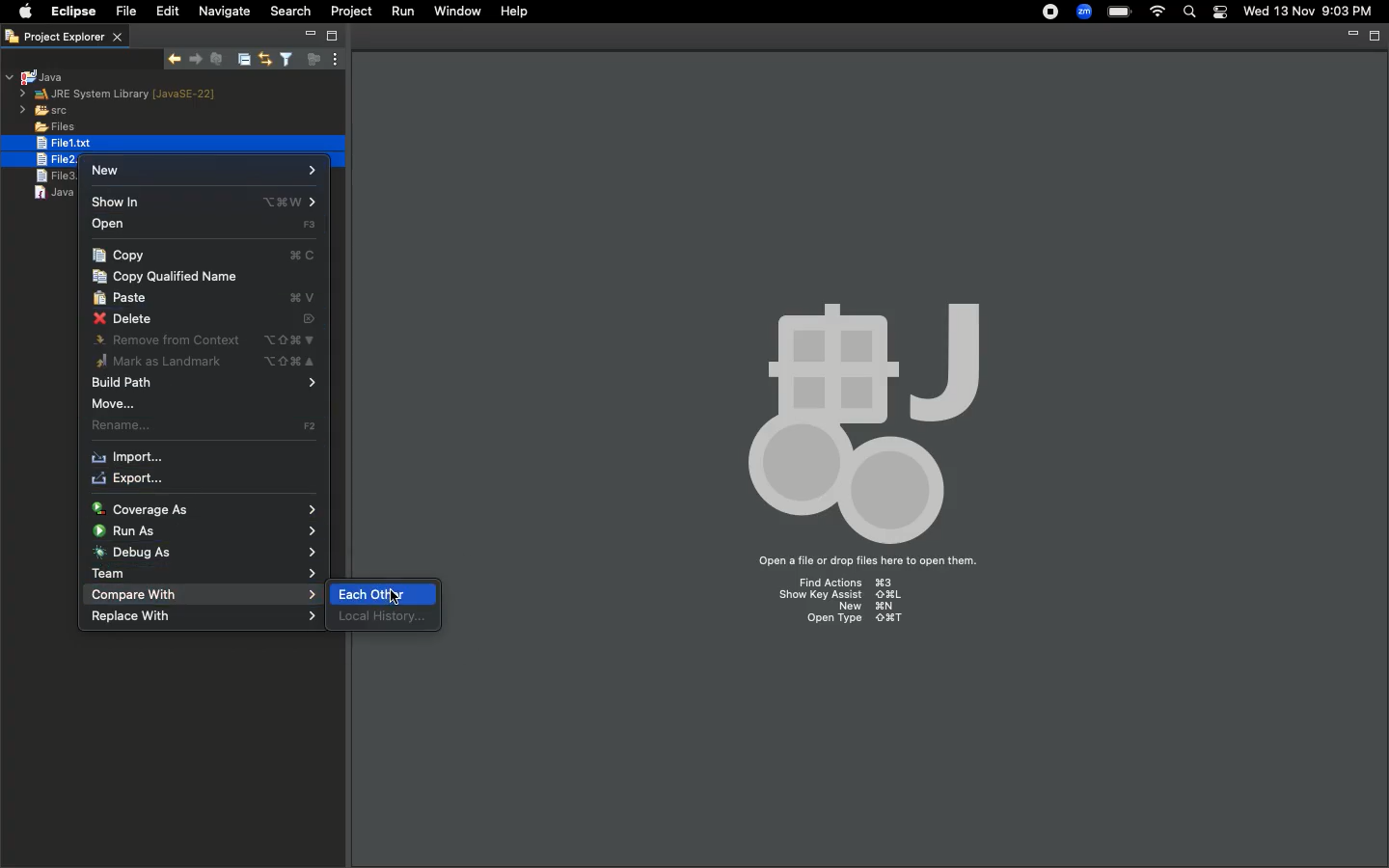 This screenshot has width=1389, height=868. What do you see at coordinates (1158, 12) in the screenshot?
I see `Internet` at bounding box center [1158, 12].